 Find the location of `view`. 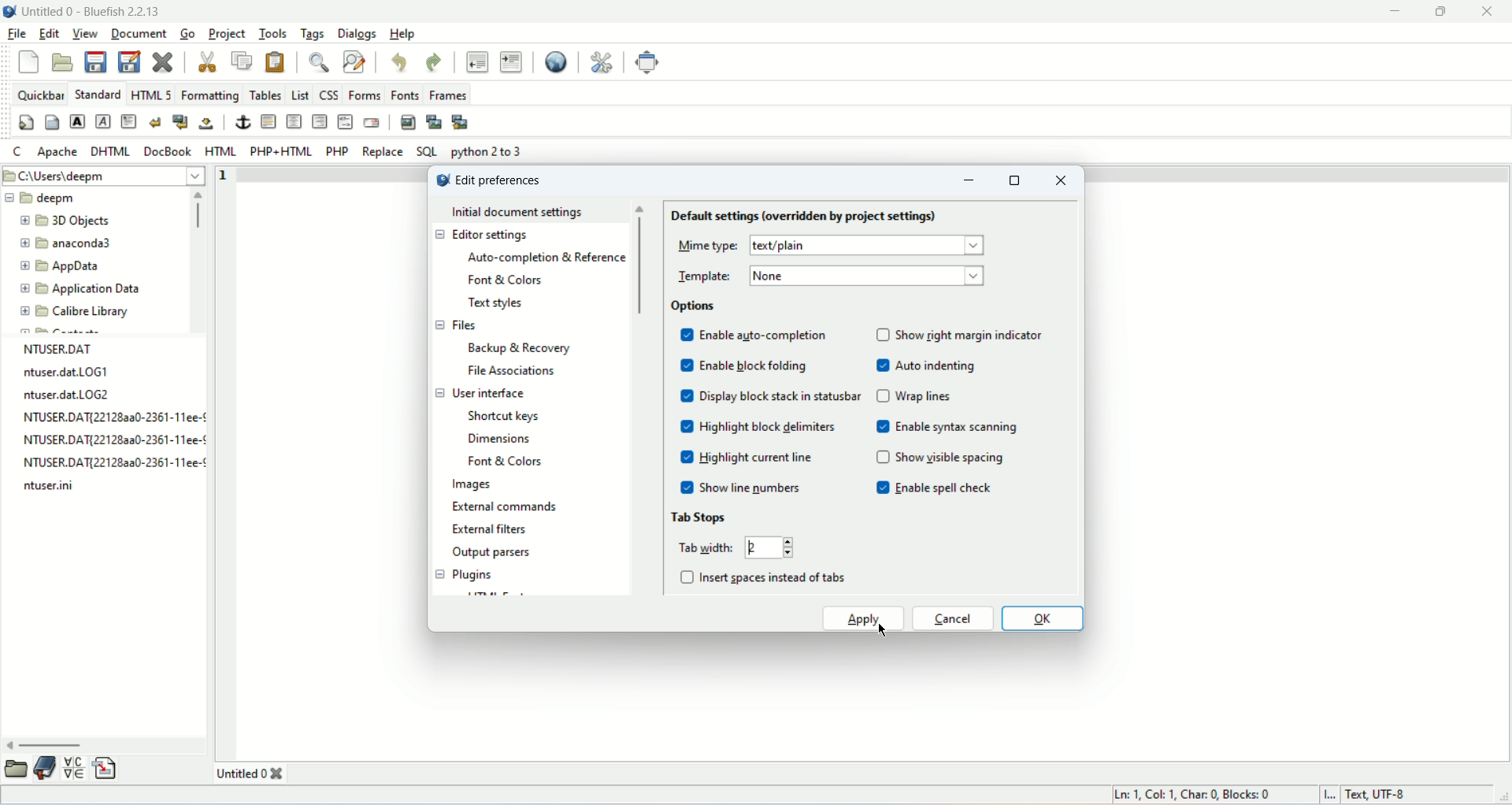

view is located at coordinates (82, 34).